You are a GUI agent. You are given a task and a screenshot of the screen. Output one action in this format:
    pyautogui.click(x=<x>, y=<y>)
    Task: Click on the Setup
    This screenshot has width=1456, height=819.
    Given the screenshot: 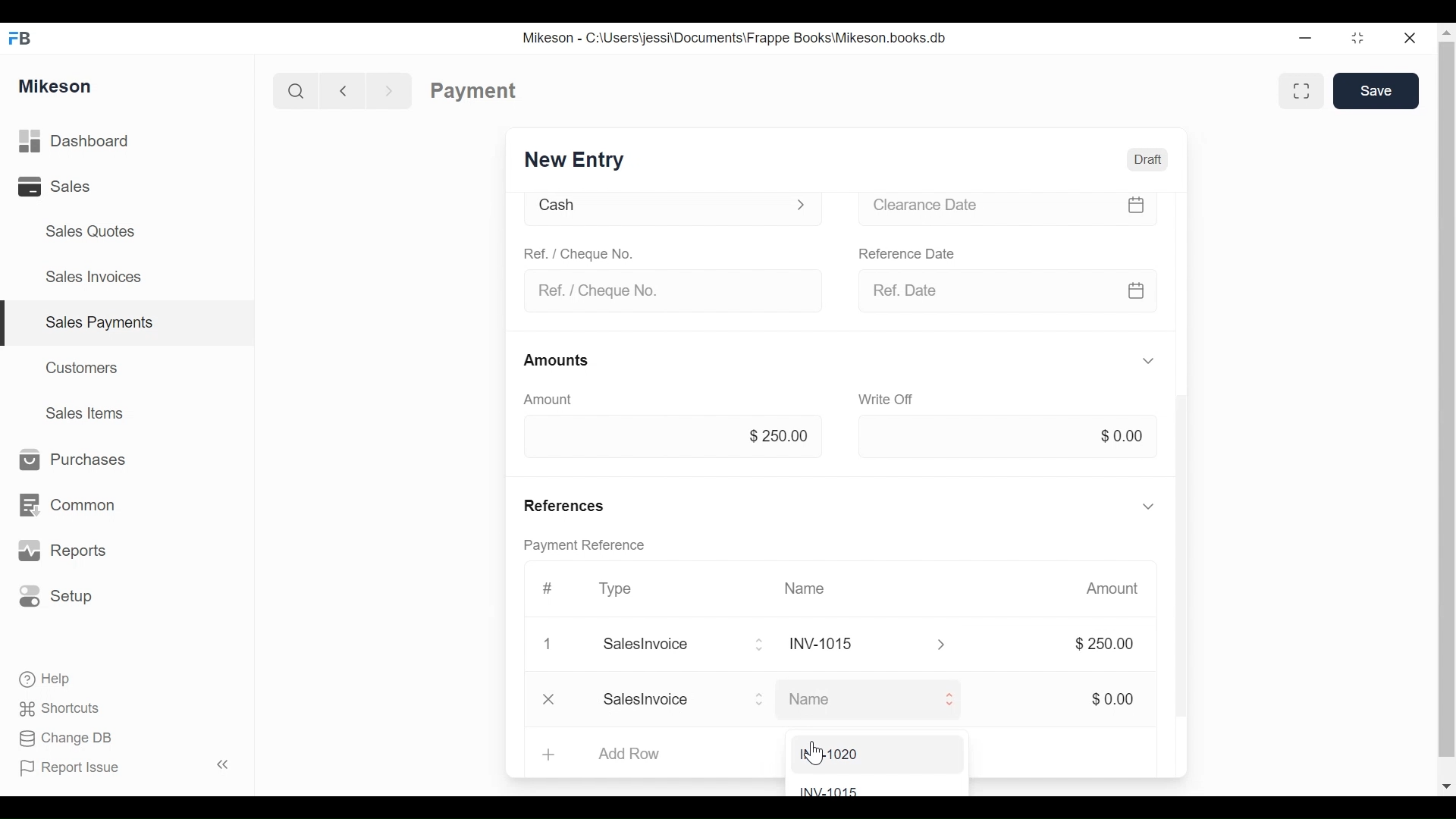 What is the action you would take?
    pyautogui.click(x=61, y=597)
    